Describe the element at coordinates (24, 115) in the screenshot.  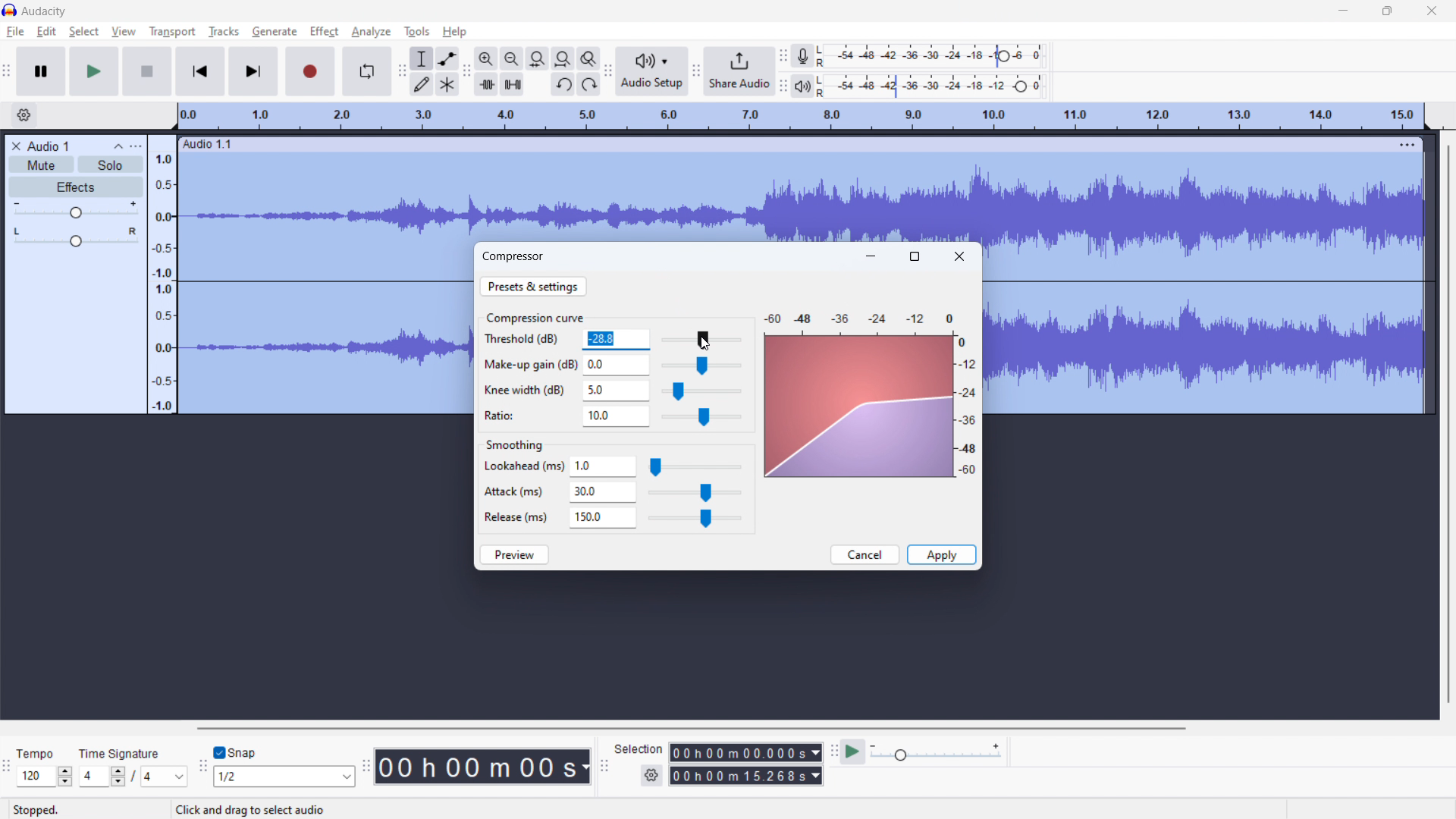
I see `timeline settings` at that location.